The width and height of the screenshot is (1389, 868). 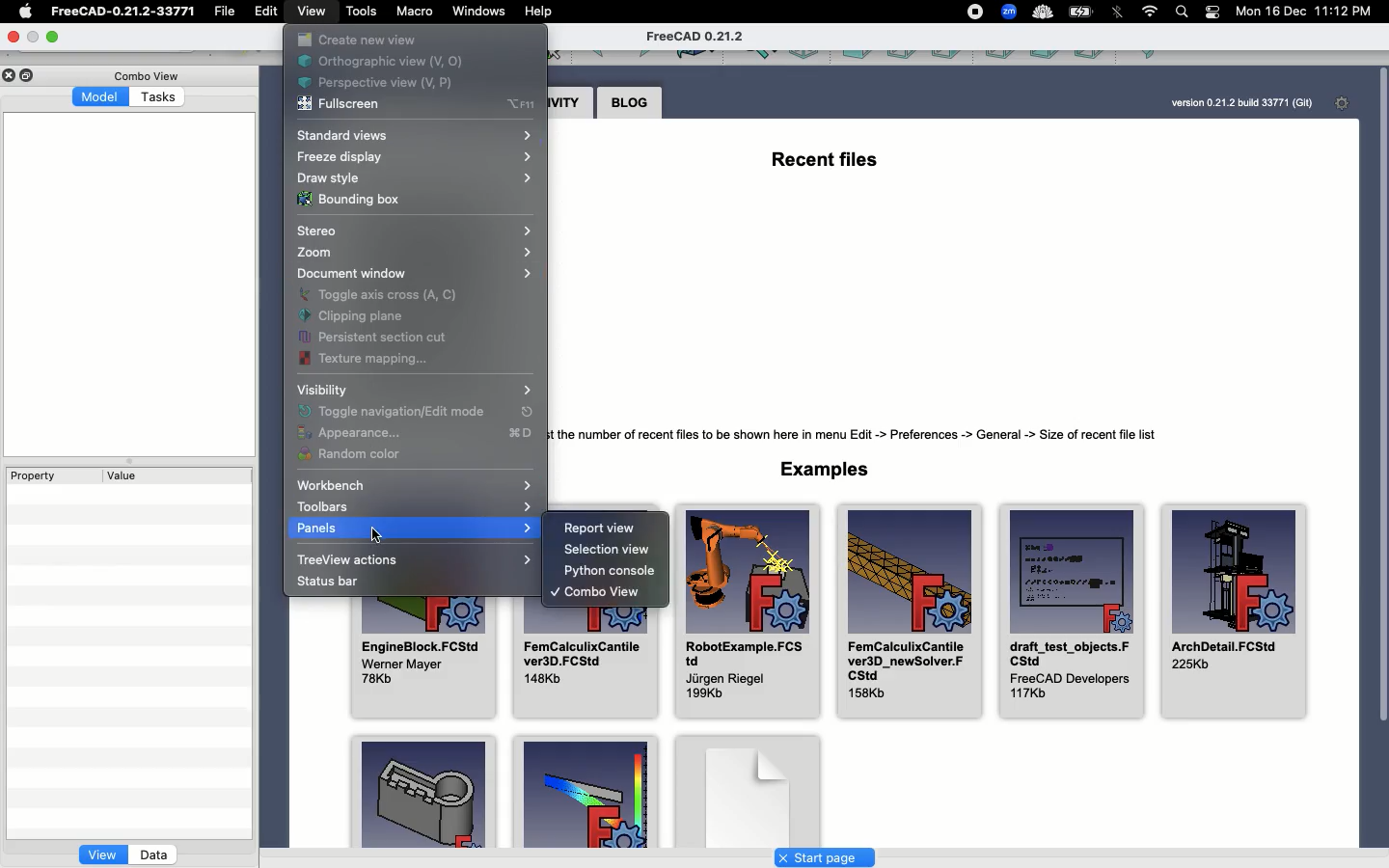 What do you see at coordinates (326, 583) in the screenshot?
I see `Status bar` at bounding box center [326, 583].